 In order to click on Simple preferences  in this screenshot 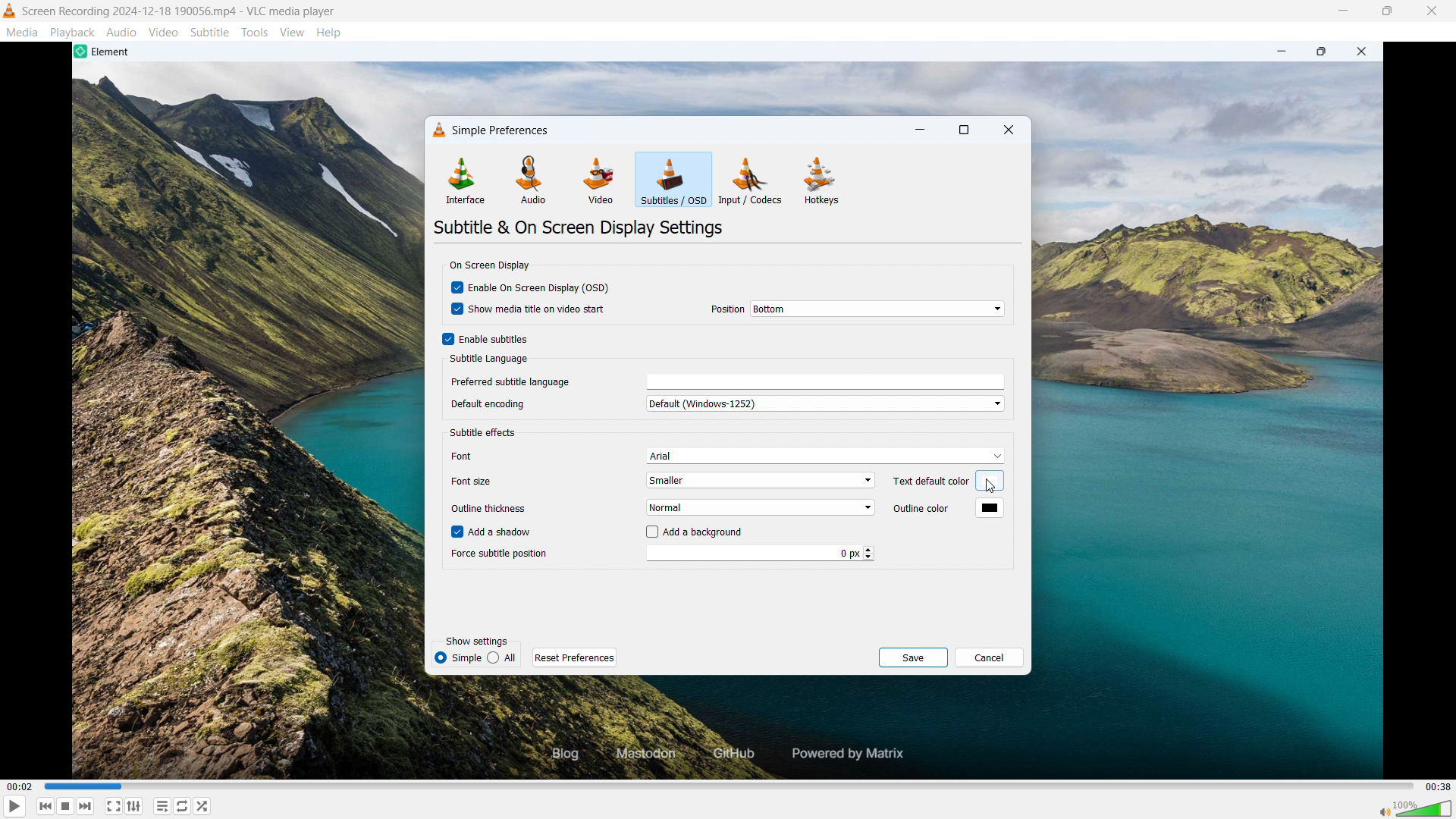, I will do `click(492, 130)`.